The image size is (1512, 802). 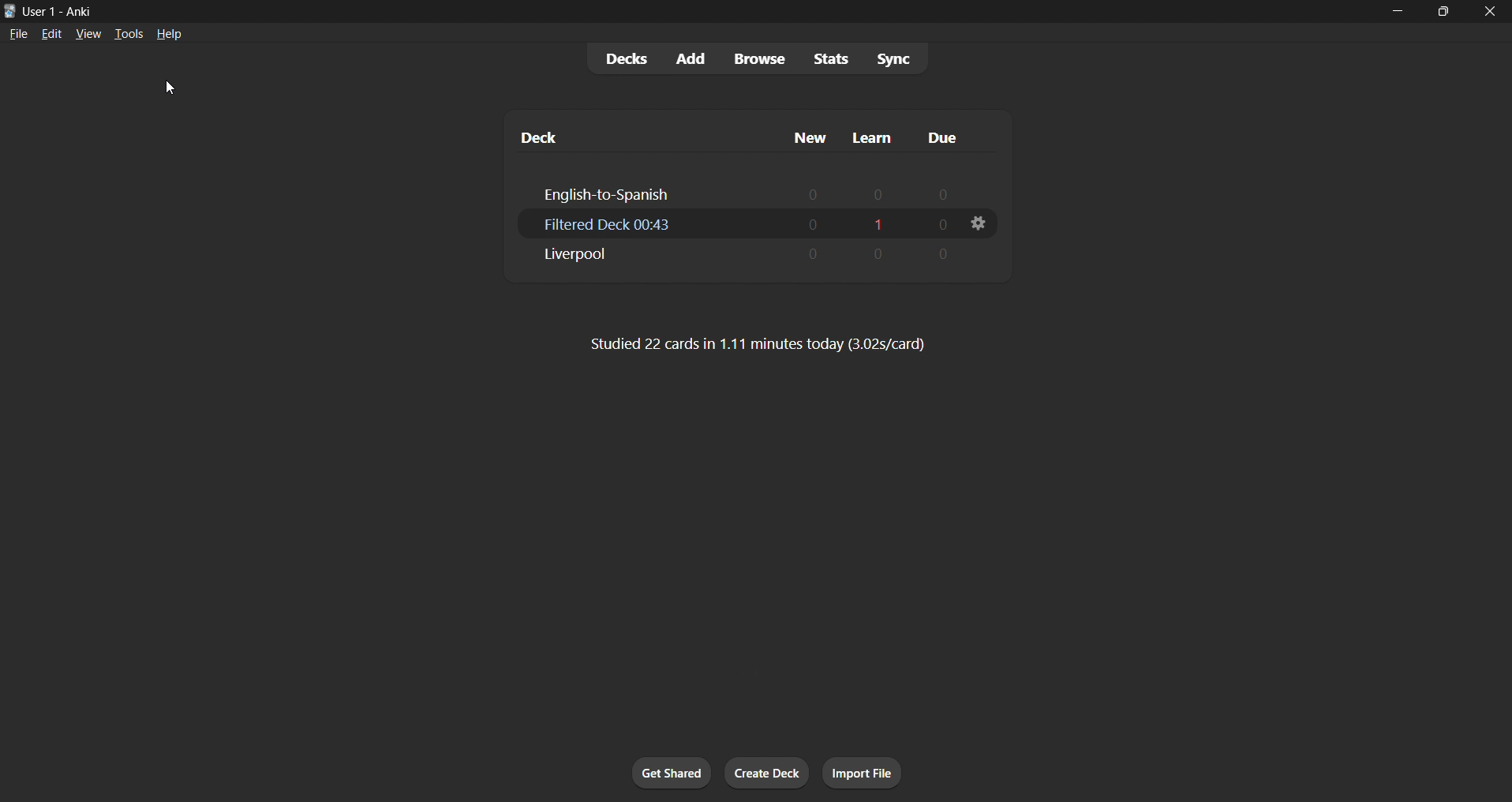 I want to click on add, so click(x=687, y=55).